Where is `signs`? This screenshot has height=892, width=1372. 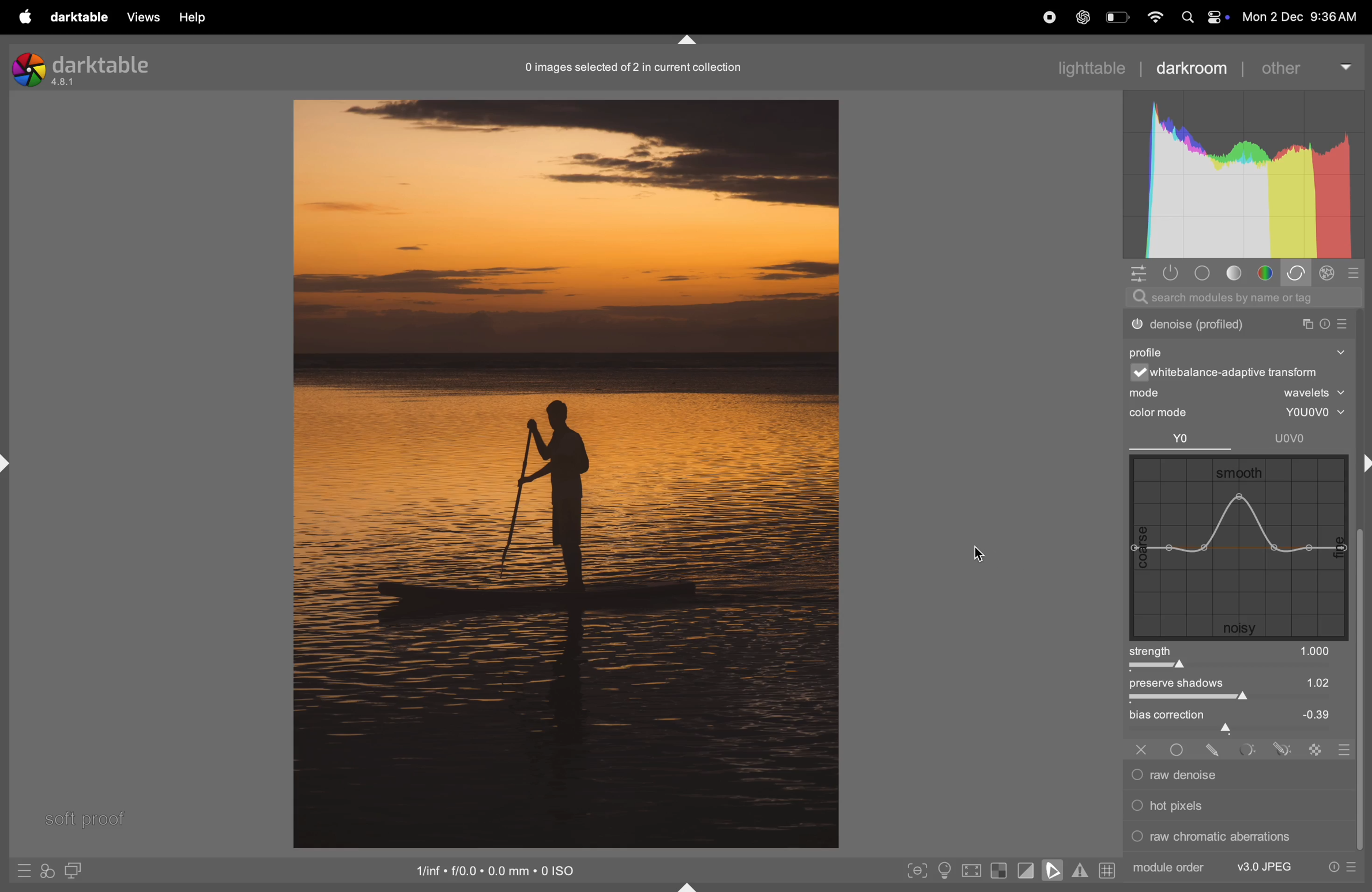
signs is located at coordinates (1341, 751).